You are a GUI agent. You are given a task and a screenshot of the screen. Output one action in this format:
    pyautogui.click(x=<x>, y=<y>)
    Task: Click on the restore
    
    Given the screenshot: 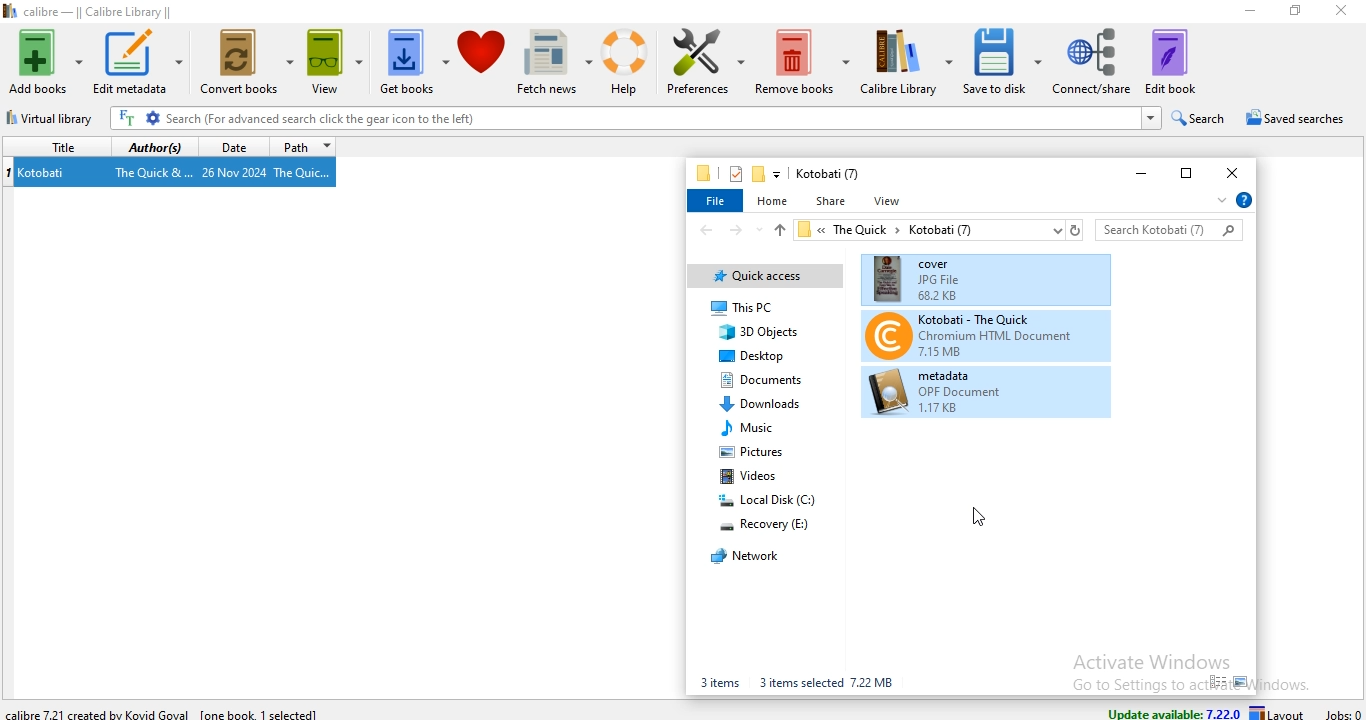 What is the action you would take?
    pyautogui.click(x=1292, y=10)
    